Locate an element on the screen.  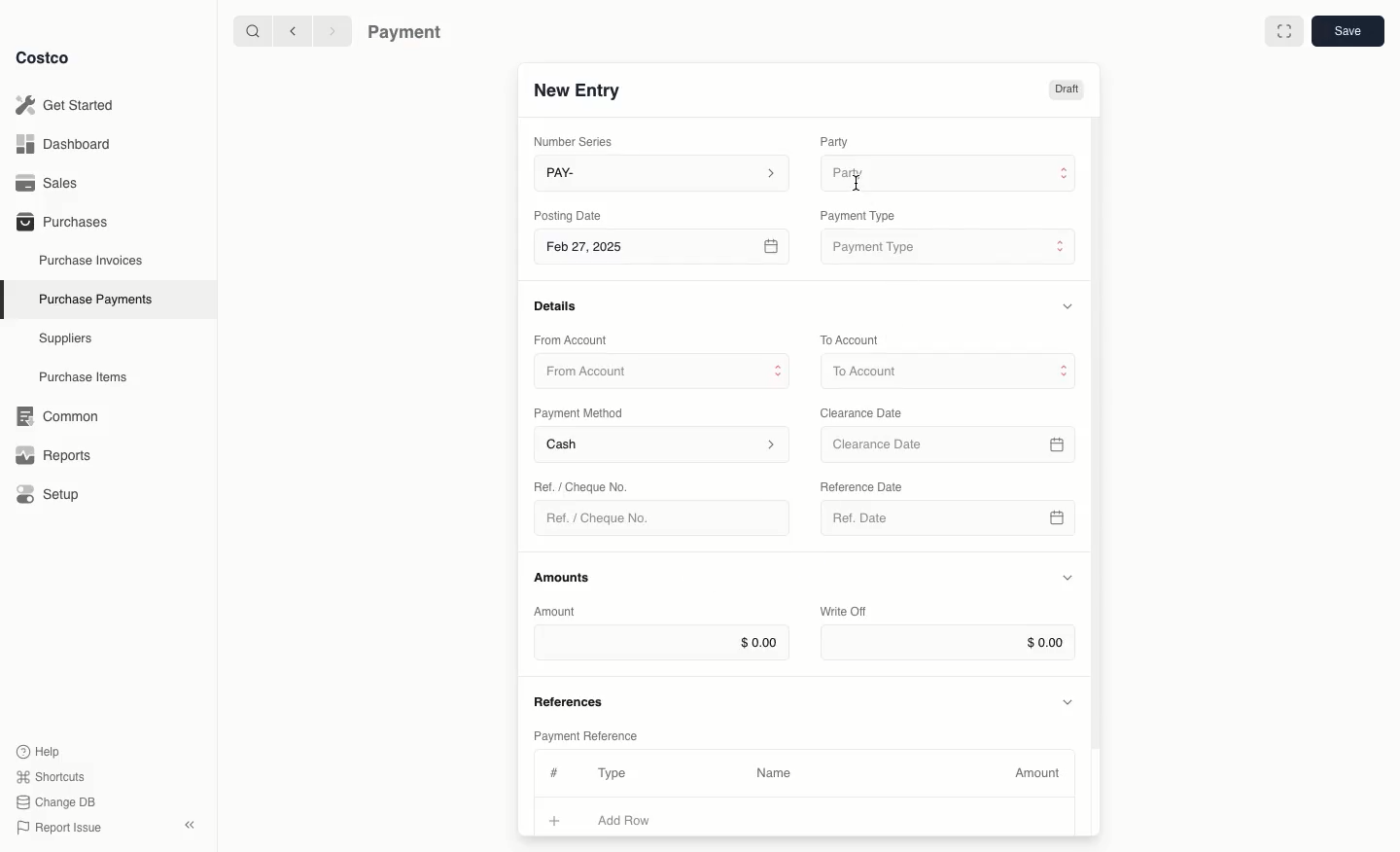
Cash is located at coordinates (663, 445).